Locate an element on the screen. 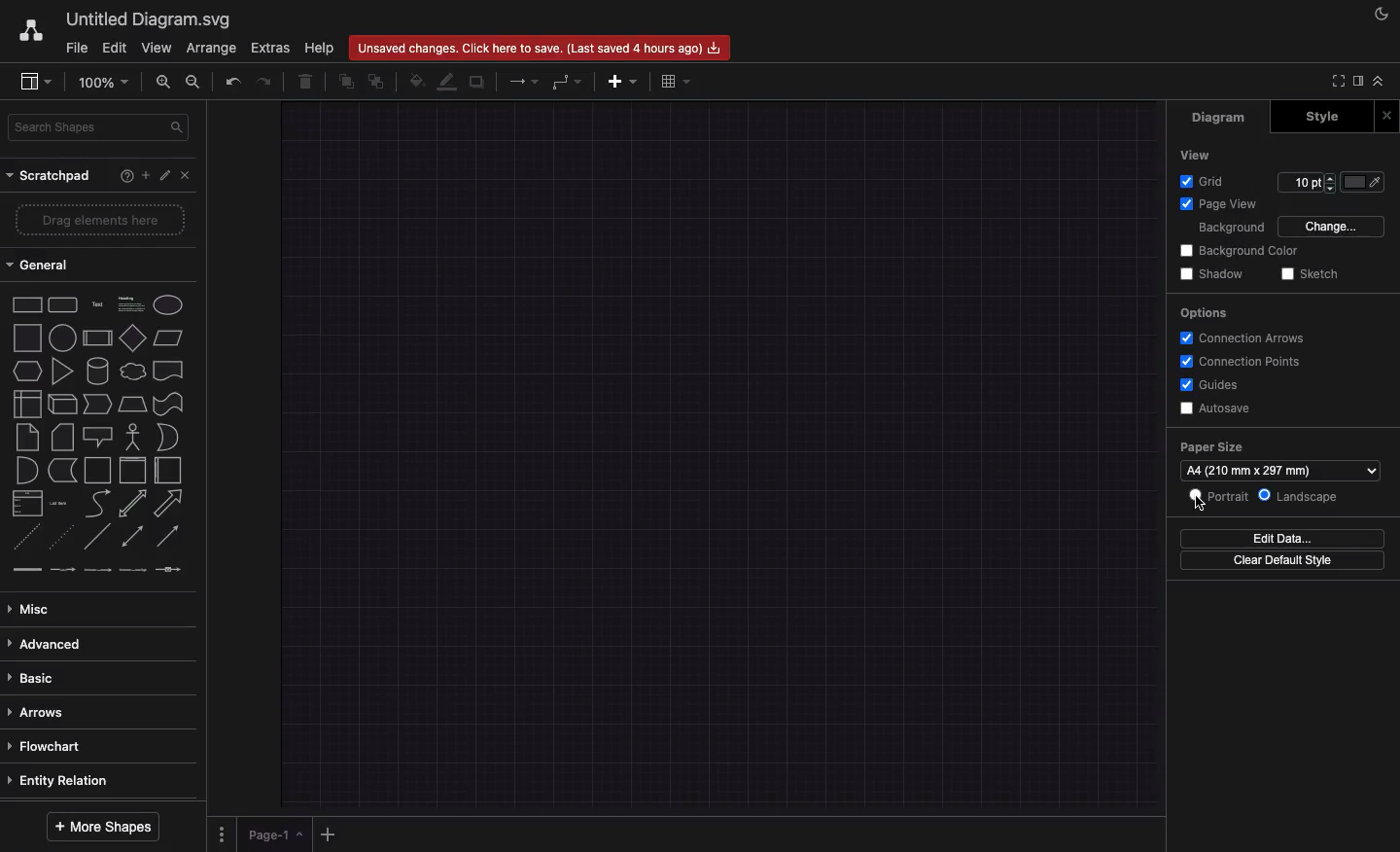 Image resolution: width=1400 pixels, height=852 pixels. Advanced is located at coordinates (50, 645).